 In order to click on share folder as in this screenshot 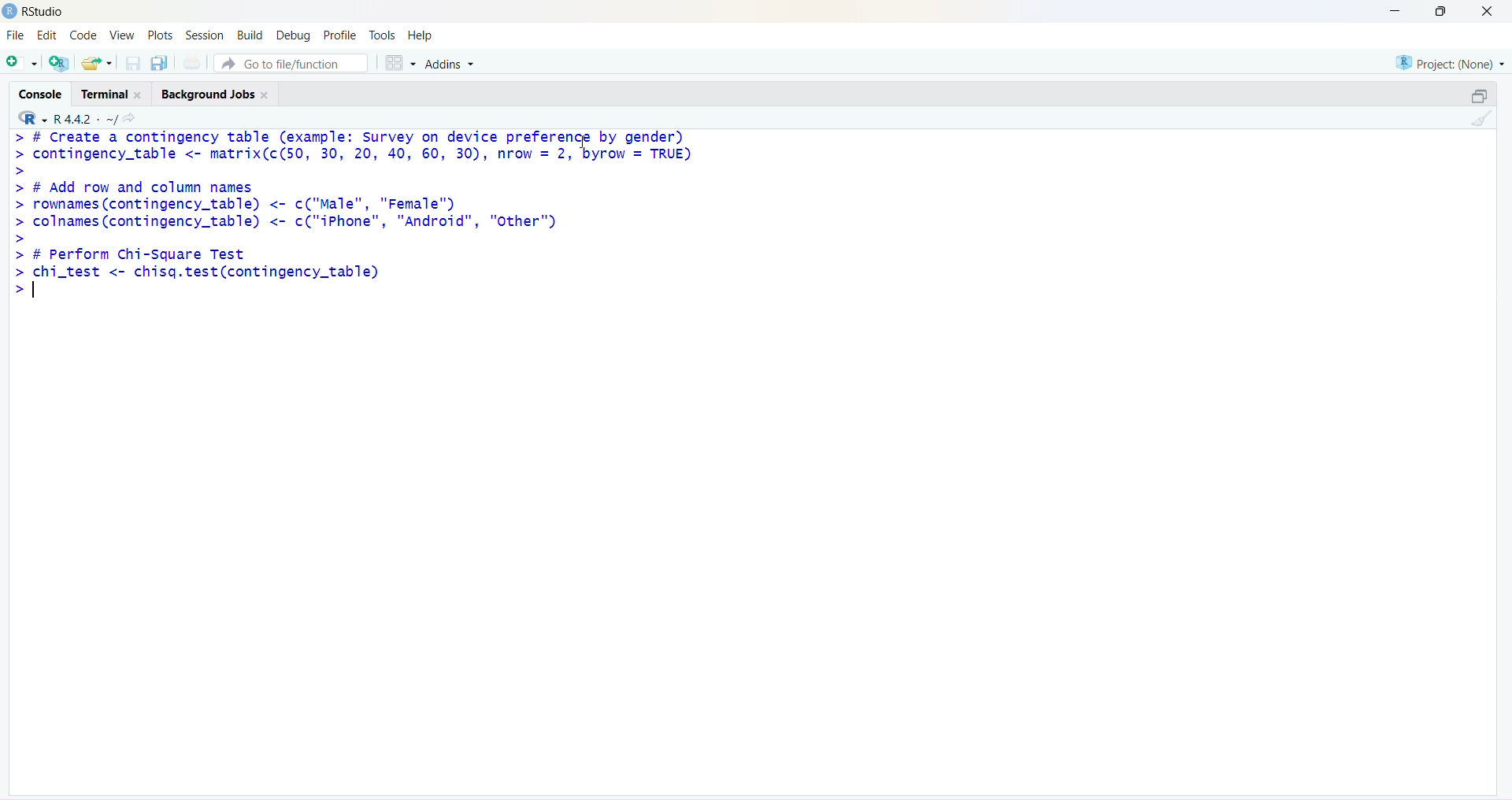, I will do `click(96, 62)`.